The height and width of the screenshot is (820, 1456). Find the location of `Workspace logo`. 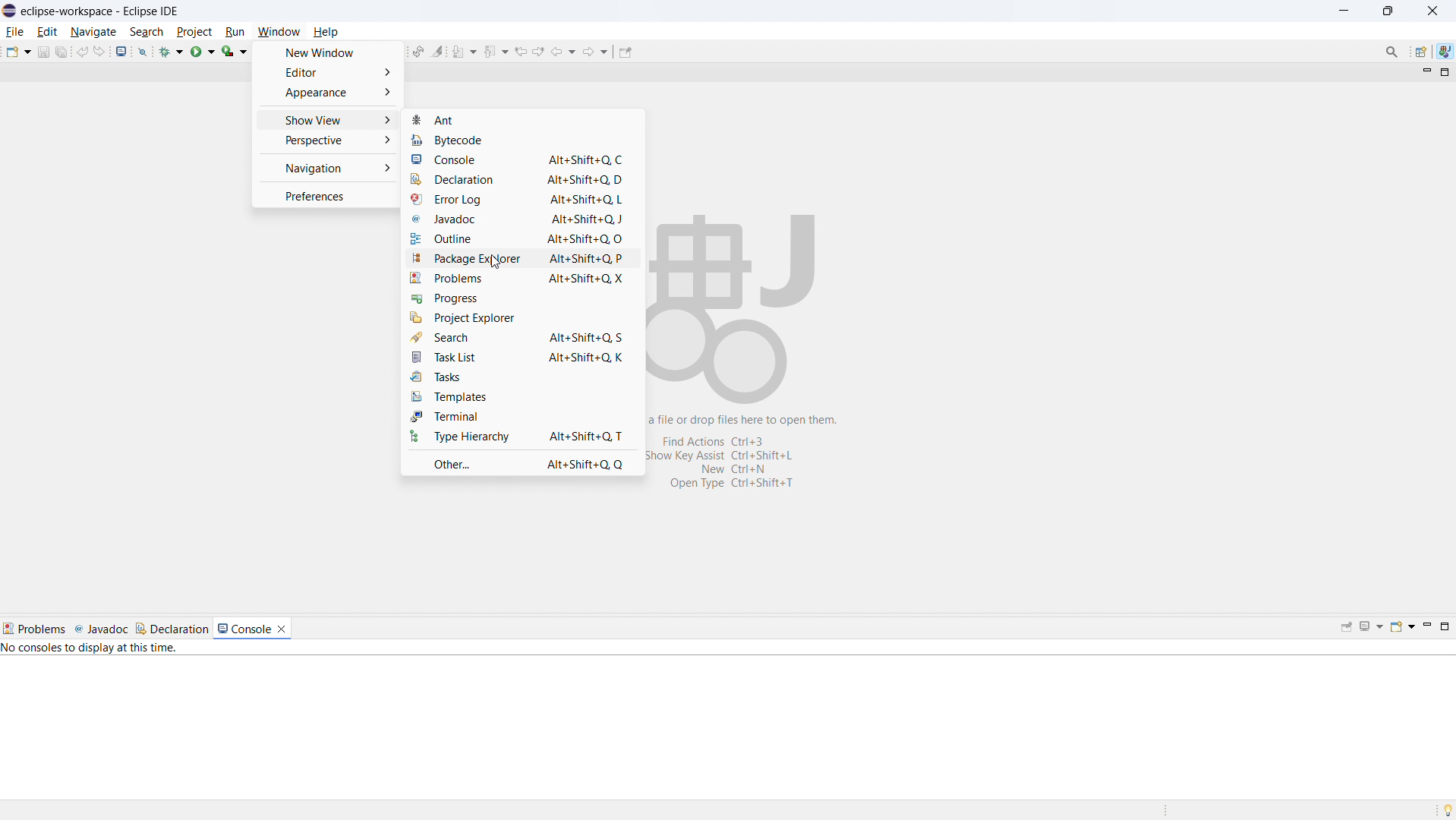

Workspace logo is located at coordinates (734, 306).